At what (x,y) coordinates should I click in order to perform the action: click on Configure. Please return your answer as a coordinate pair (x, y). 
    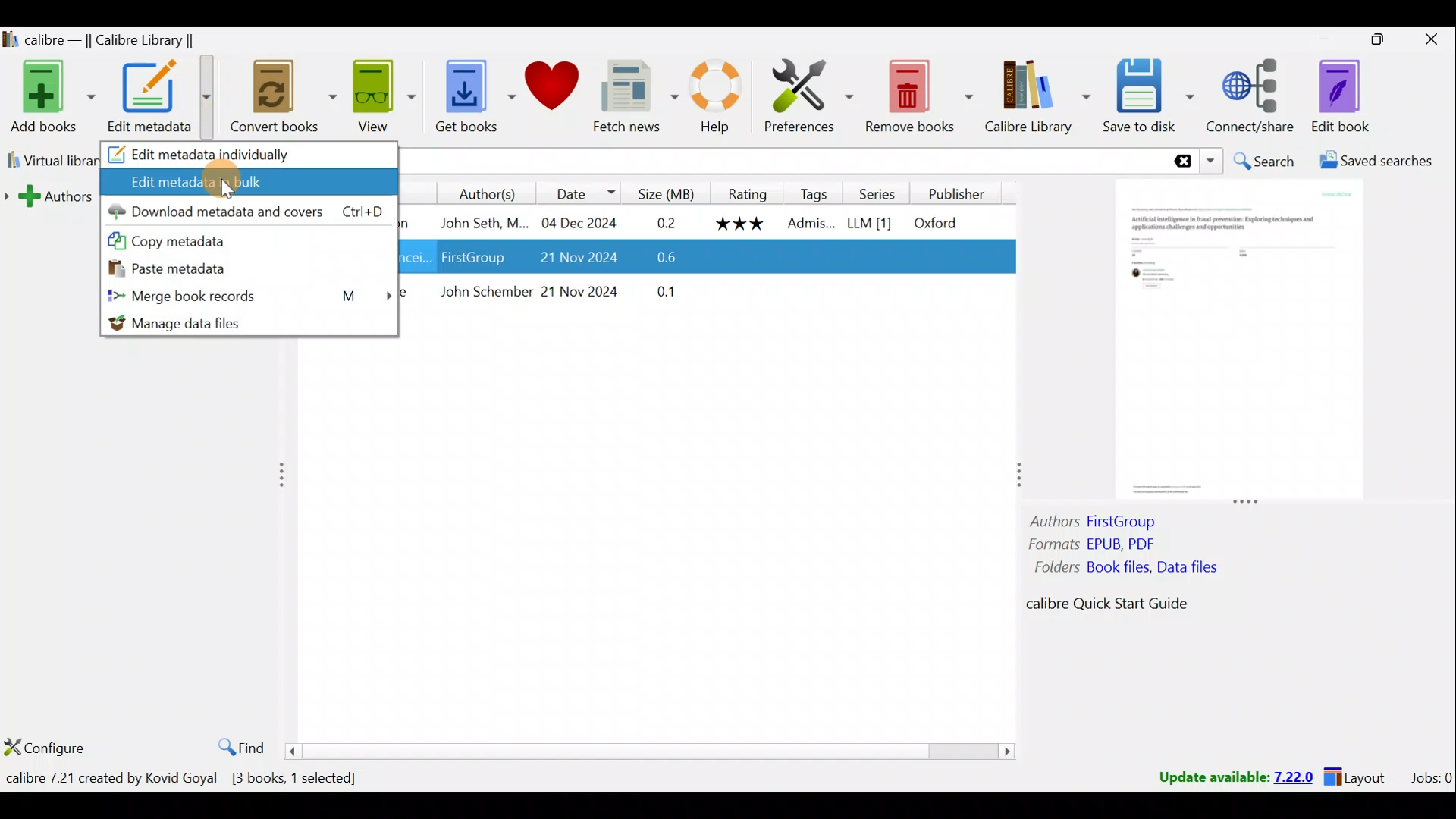
    Looking at the image, I should click on (45, 742).